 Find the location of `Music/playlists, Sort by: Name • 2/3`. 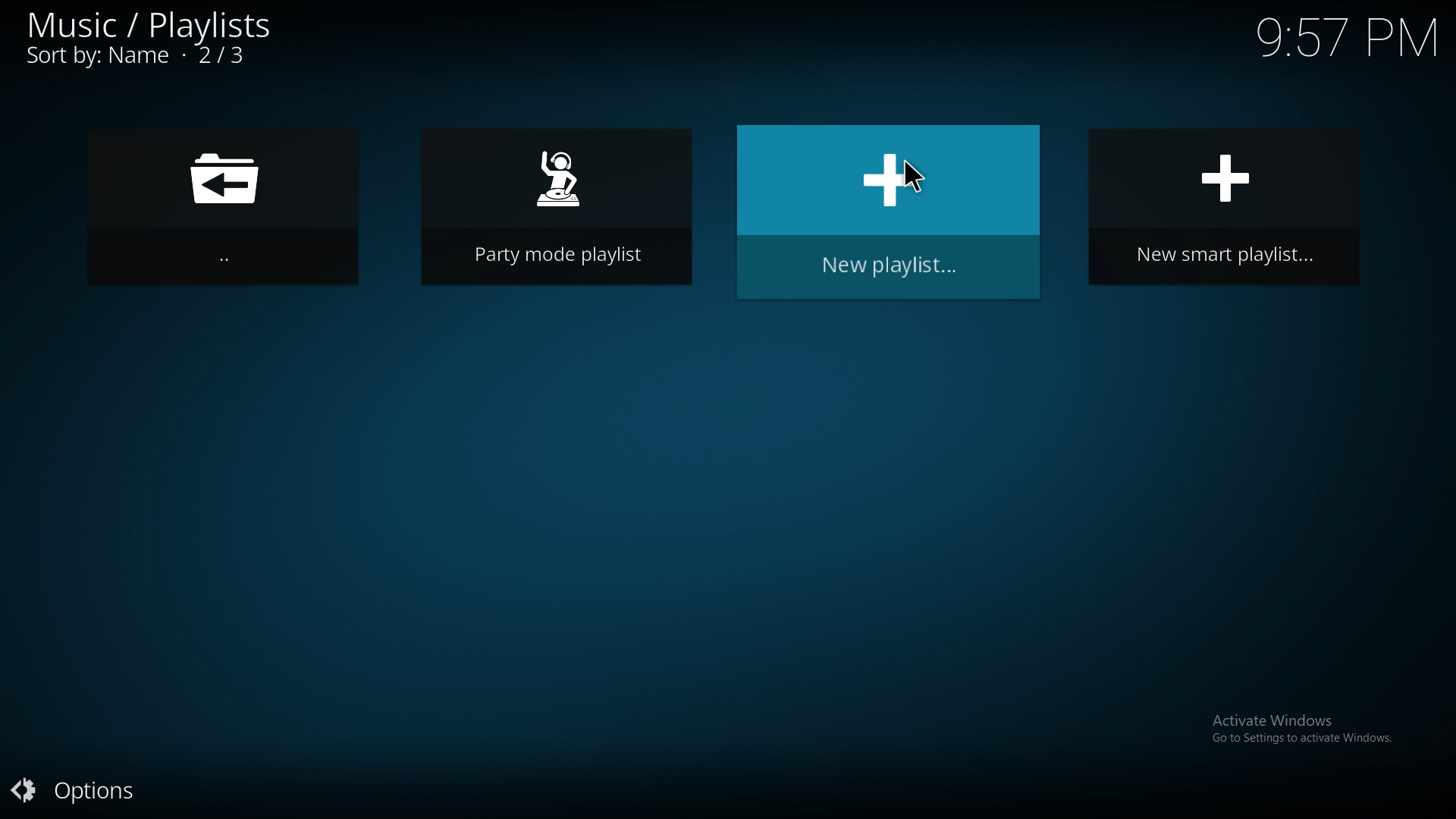

Music/playlists, Sort by: Name • 2/3 is located at coordinates (153, 37).